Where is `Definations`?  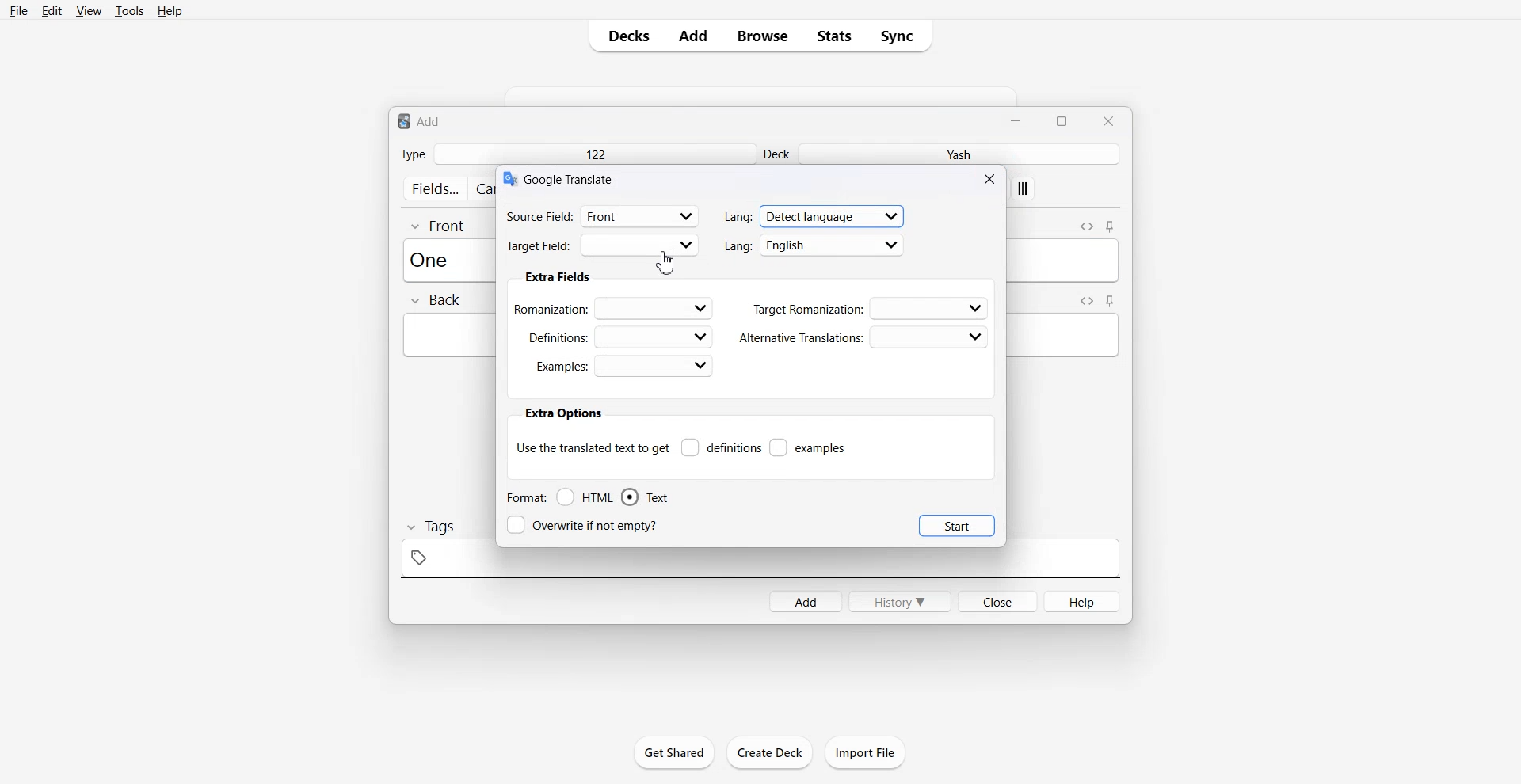 Definations is located at coordinates (618, 336).